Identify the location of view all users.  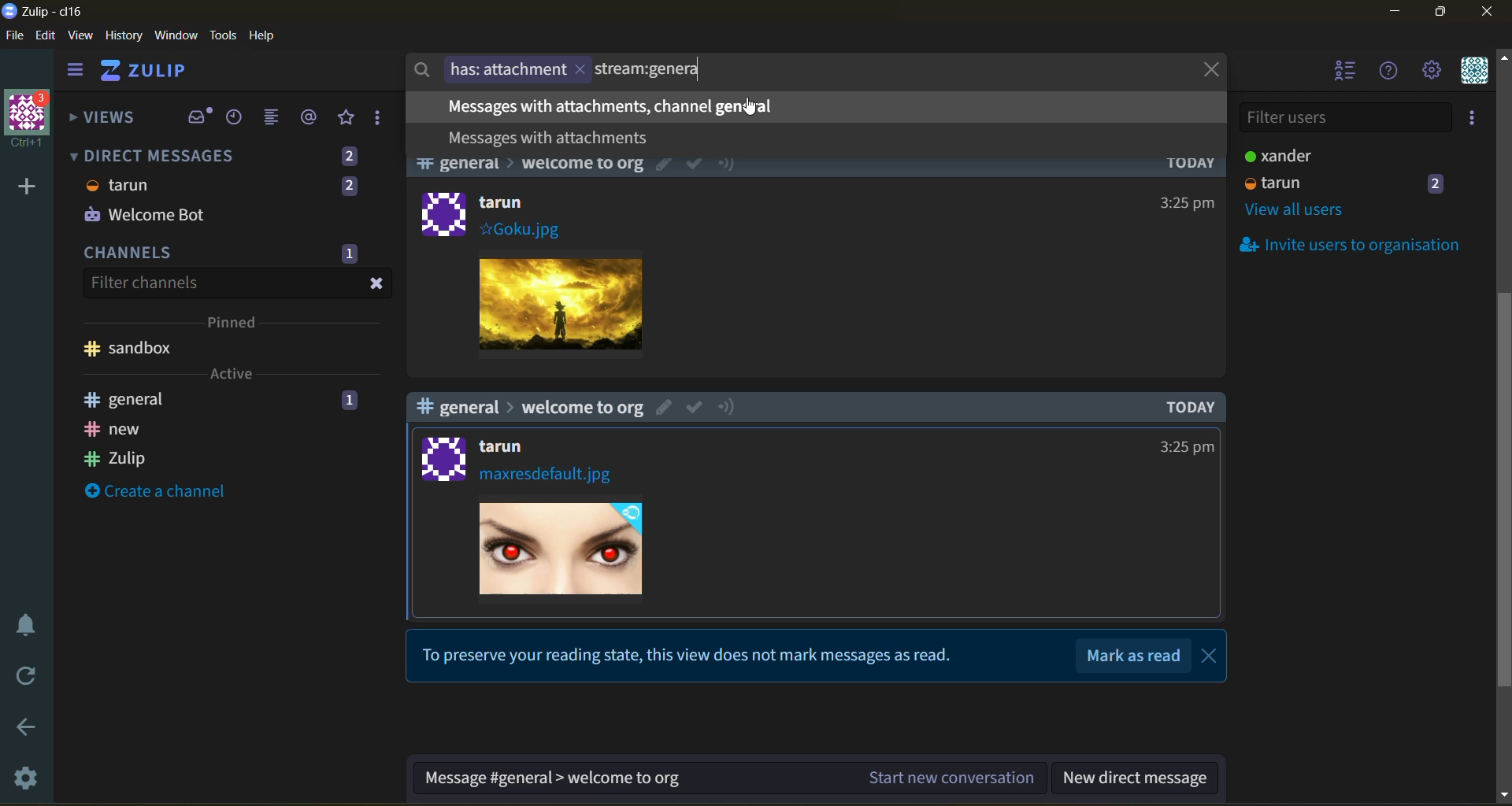
(1298, 211).